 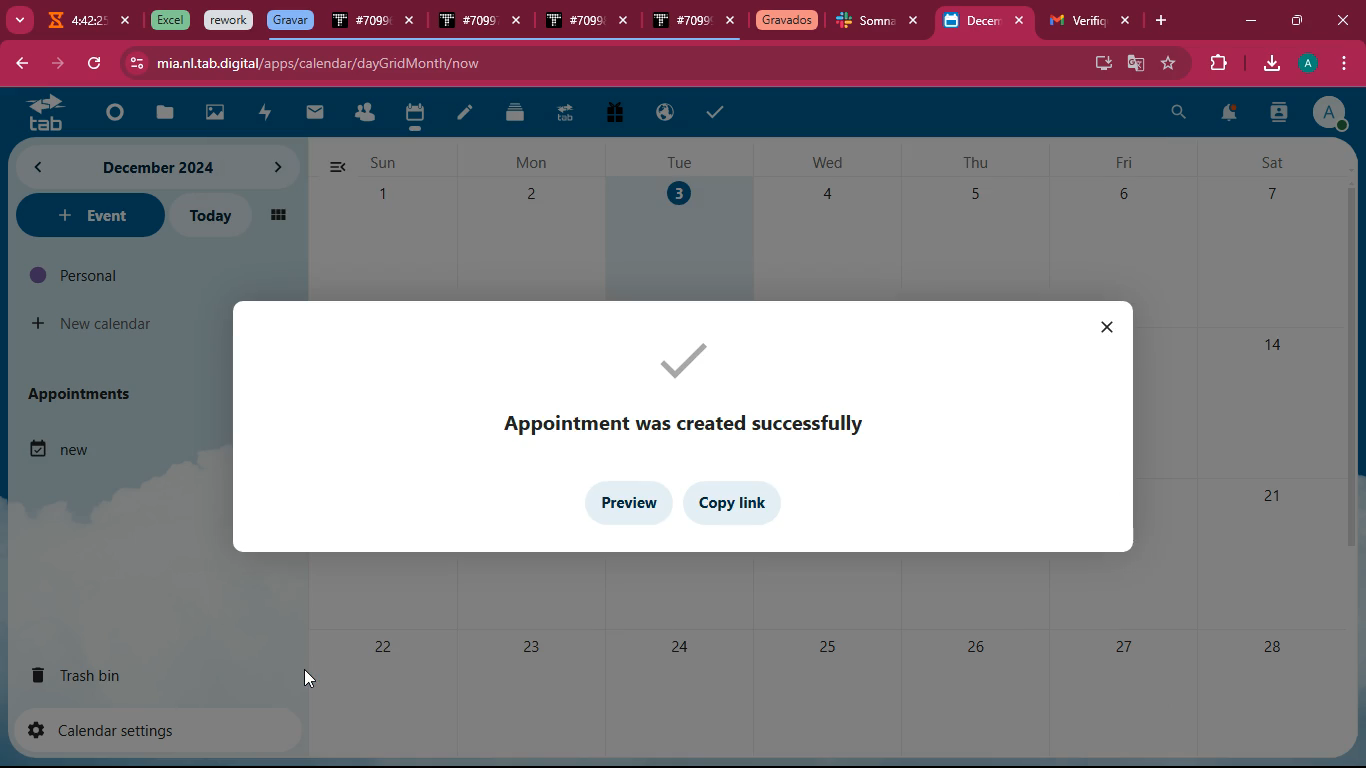 What do you see at coordinates (1170, 63) in the screenshot?
I see `favorites` at bounding box center [1170, 63].